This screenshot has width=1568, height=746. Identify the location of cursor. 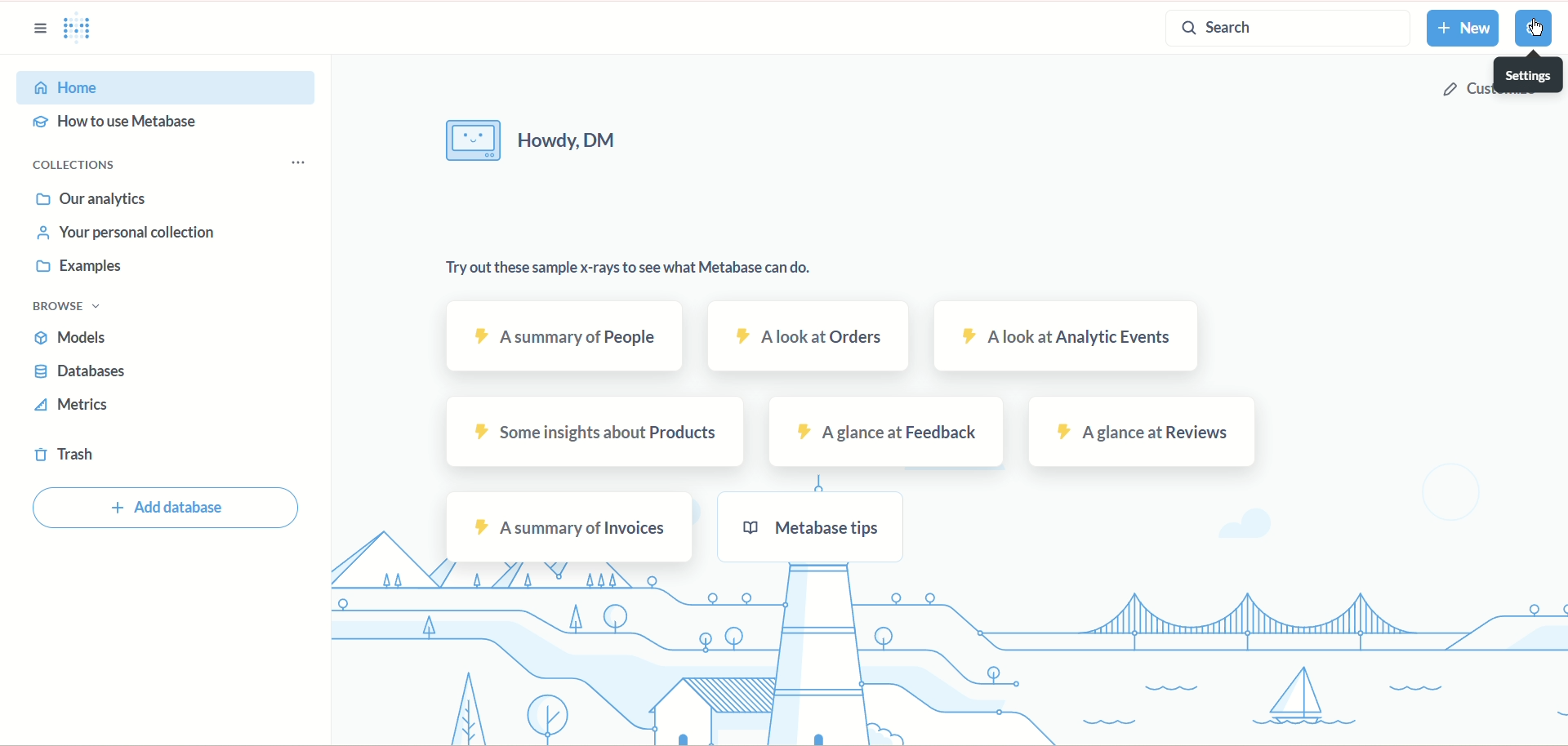
(1535, 27).